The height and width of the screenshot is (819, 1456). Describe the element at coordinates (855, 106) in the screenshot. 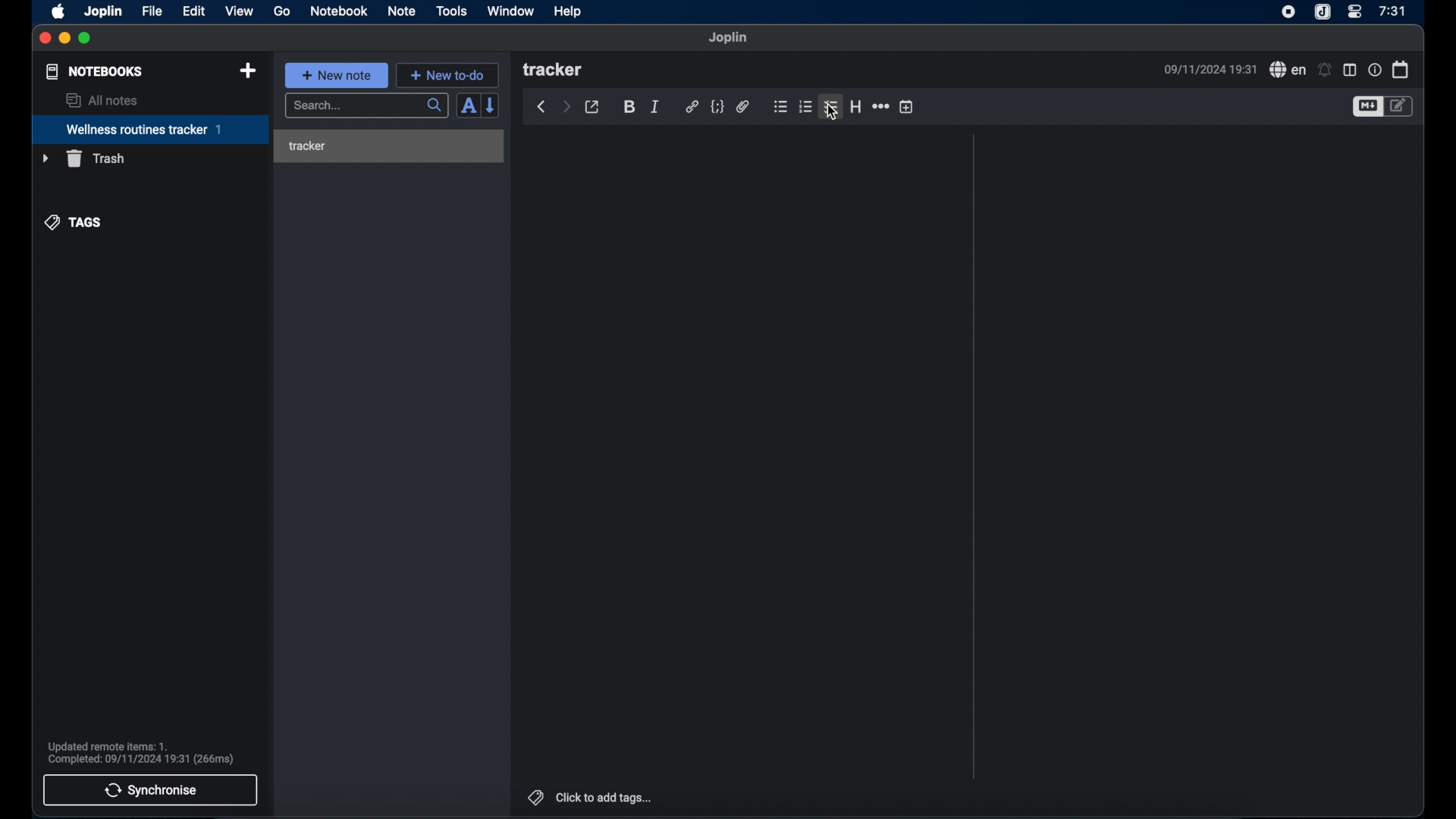

I see `heading` at that location.